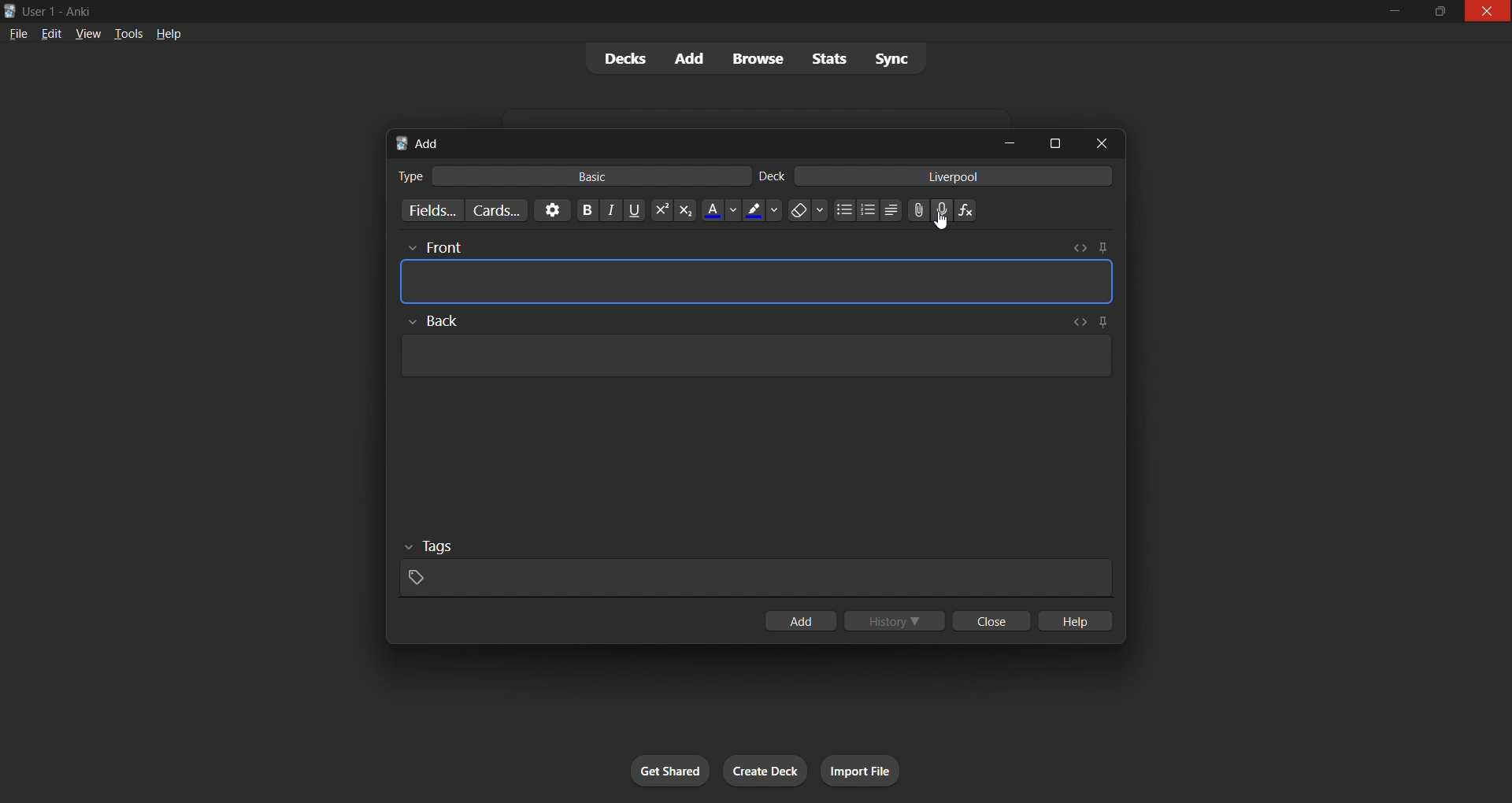 The width and height of the screenshot is (1512, 803). Describe the element at coordinates (769, 768) in the screenshot. I see `create deck` at that location.